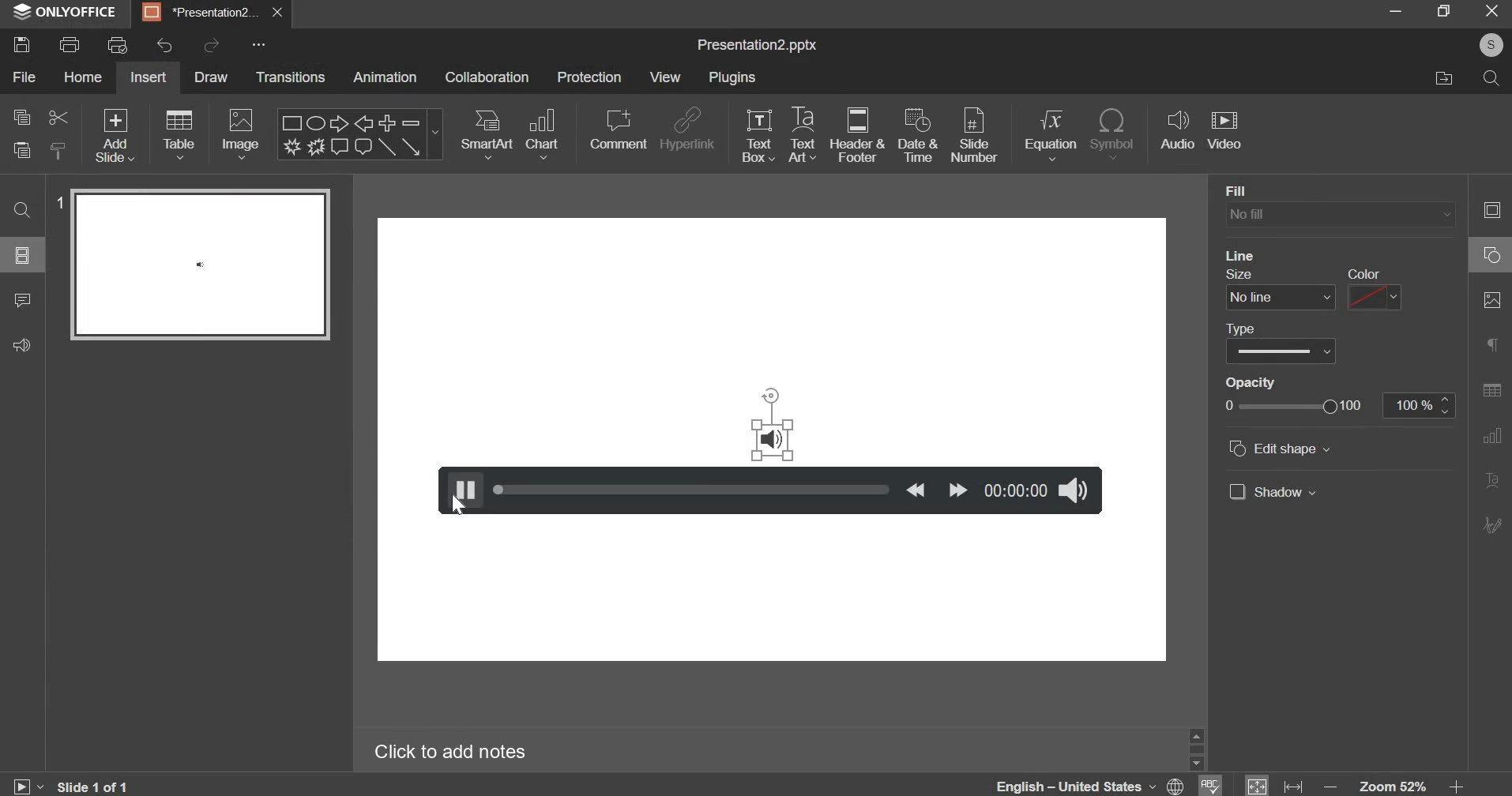  Describe the element at coordinates (735, 78) in the screenshot. I see `plugins` at that location.